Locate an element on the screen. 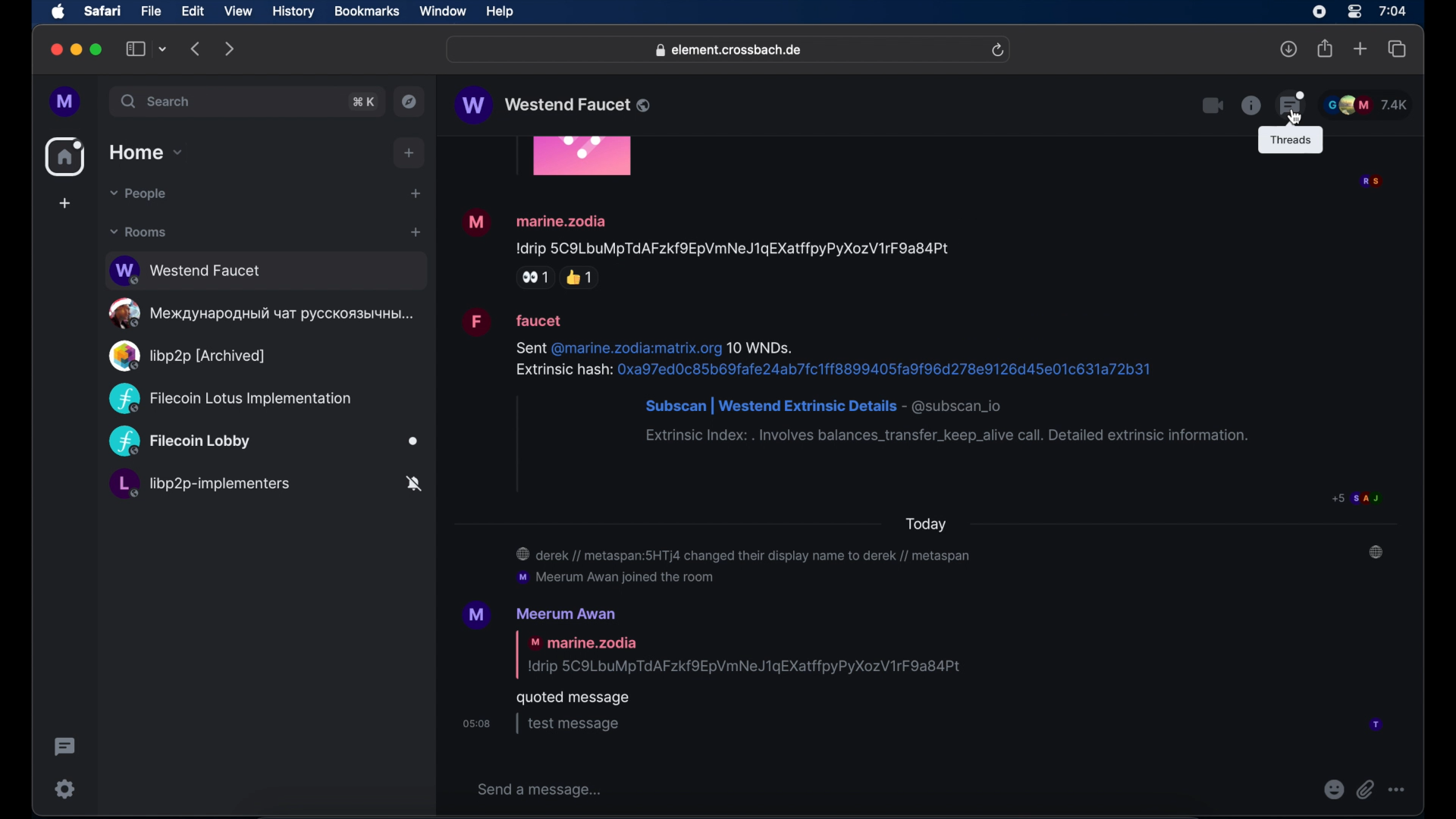 This screenshot has height=819, width=1456. obscured icon is located at coordinates (576, 158).